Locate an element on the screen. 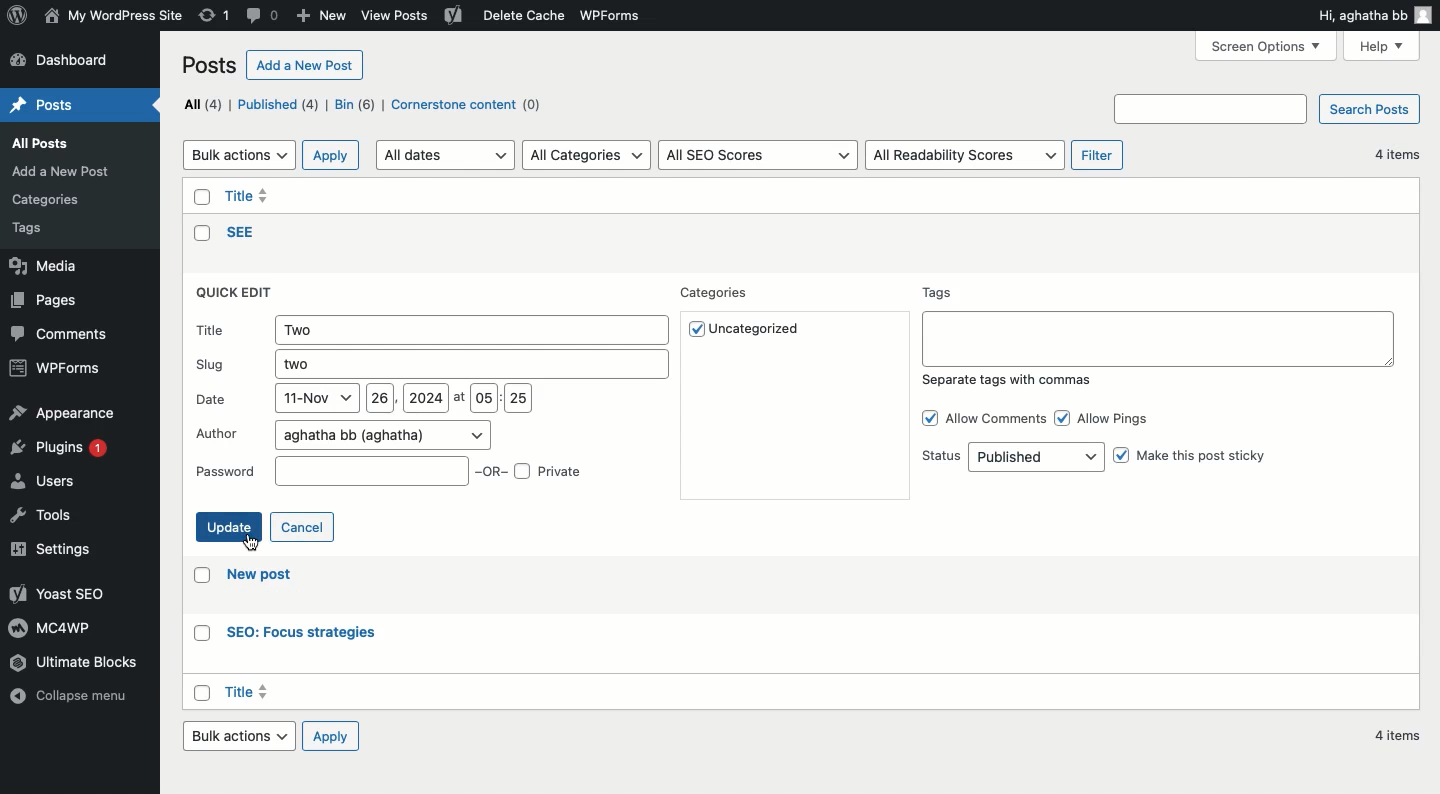  Posts is located at coordinates (211, 64).